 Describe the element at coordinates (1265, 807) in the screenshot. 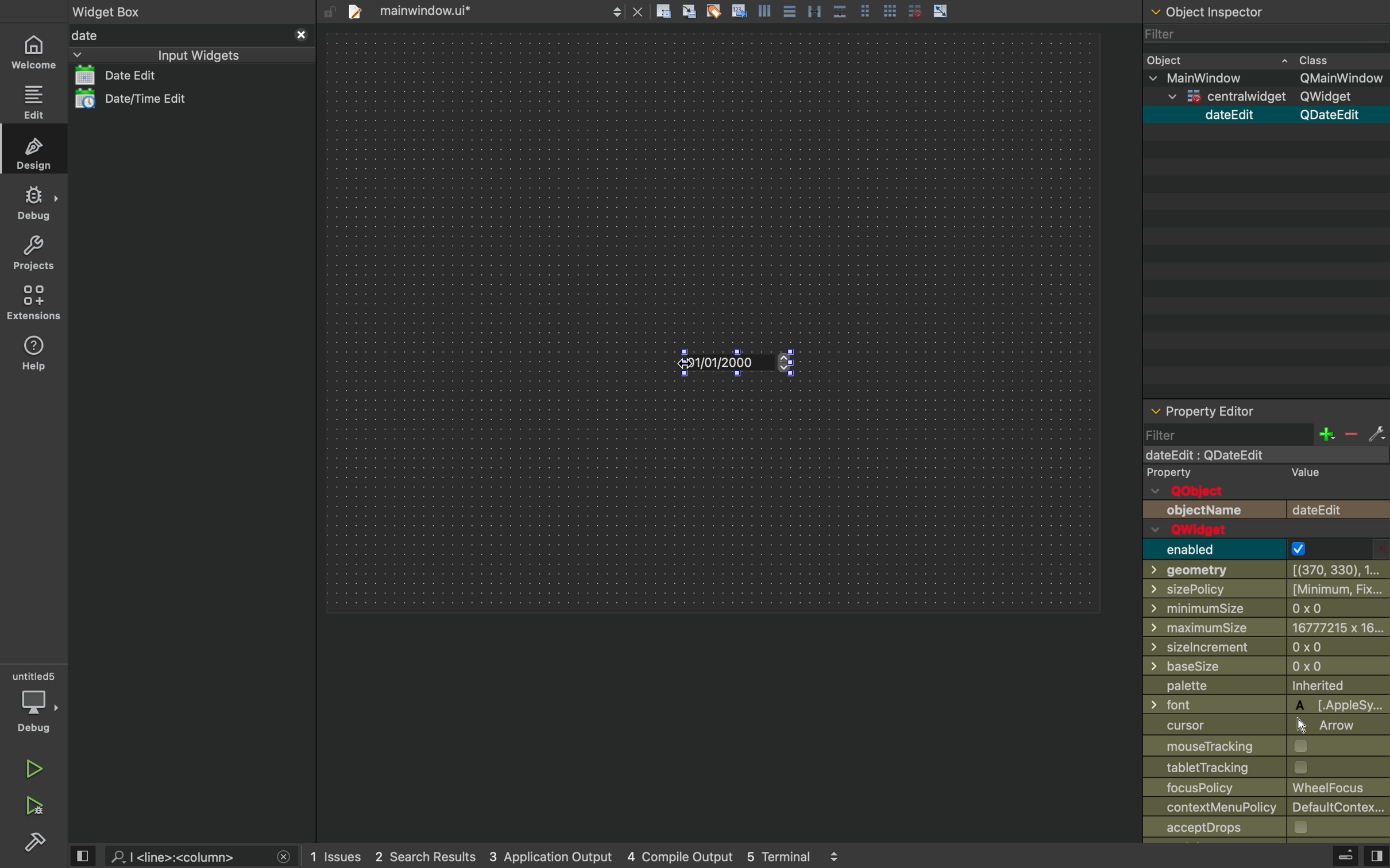

I see `contextmenupolicy` at that location.